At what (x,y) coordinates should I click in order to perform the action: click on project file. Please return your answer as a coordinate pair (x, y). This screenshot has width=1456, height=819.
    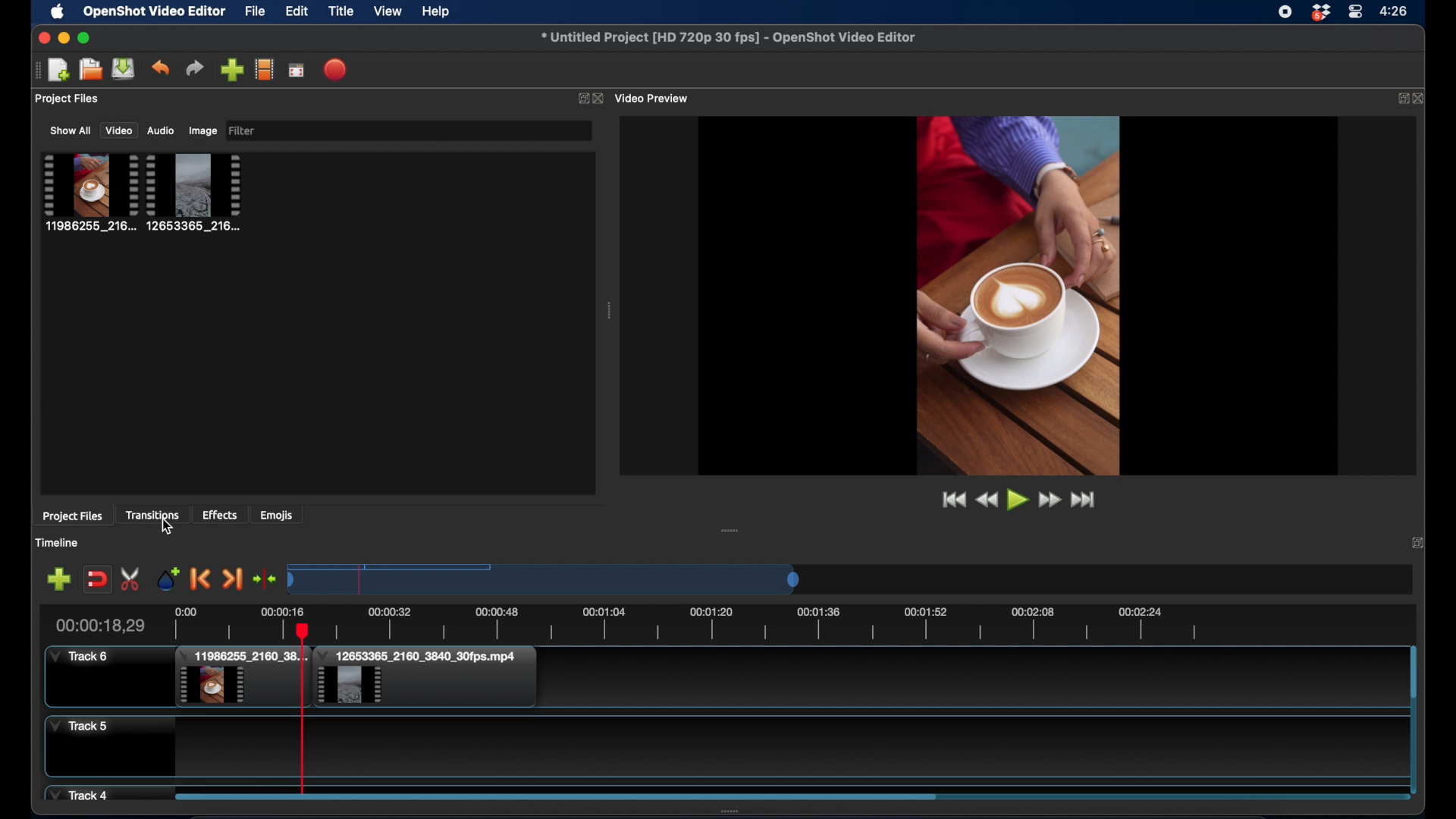
    Looking at the image, I should click on (89, 192).